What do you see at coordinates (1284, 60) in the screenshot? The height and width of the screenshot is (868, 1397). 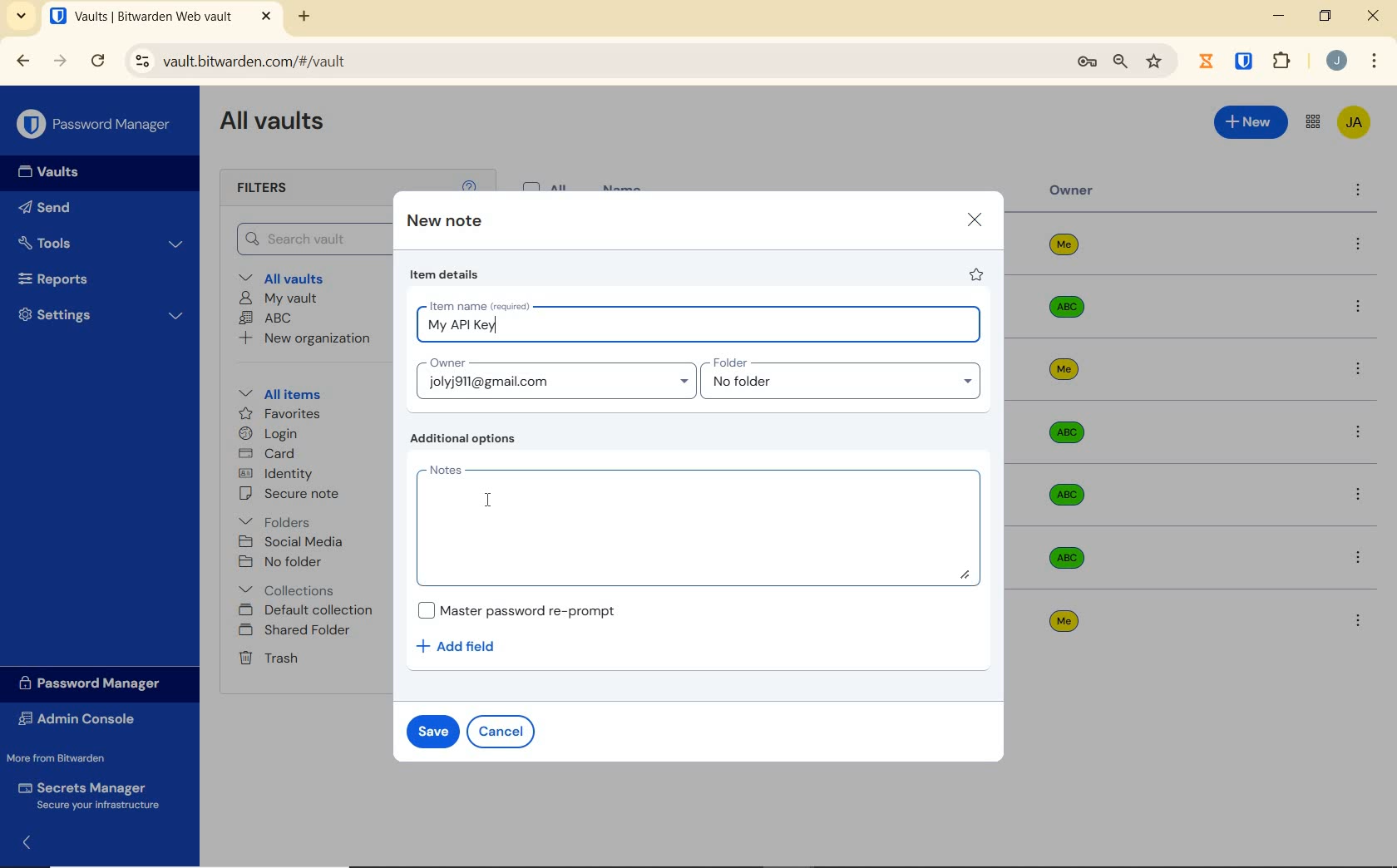 I see `extensions` at bounding box center [1284, 60].